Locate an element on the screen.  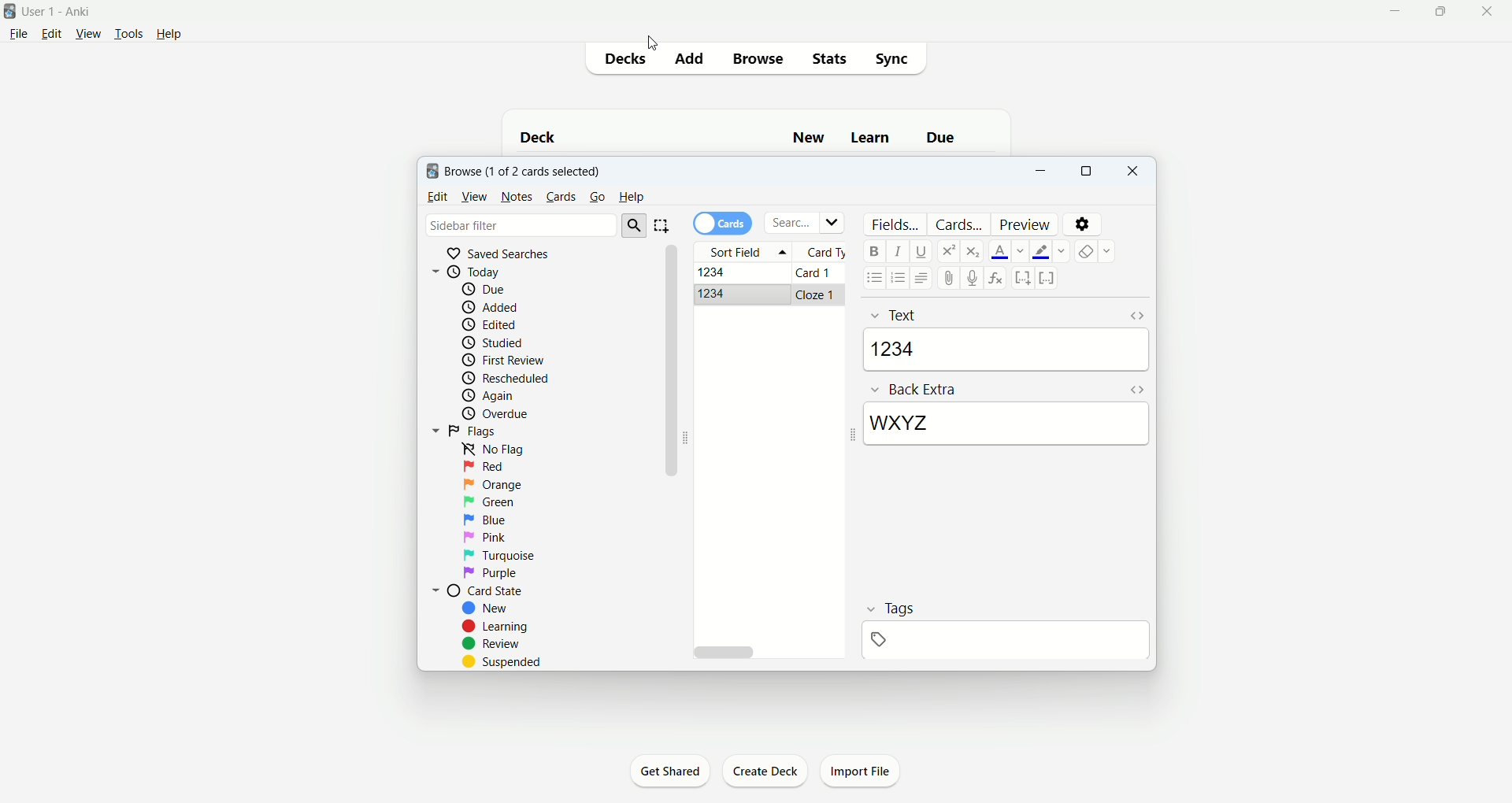
reschedule is located at coordinates (504, 378).